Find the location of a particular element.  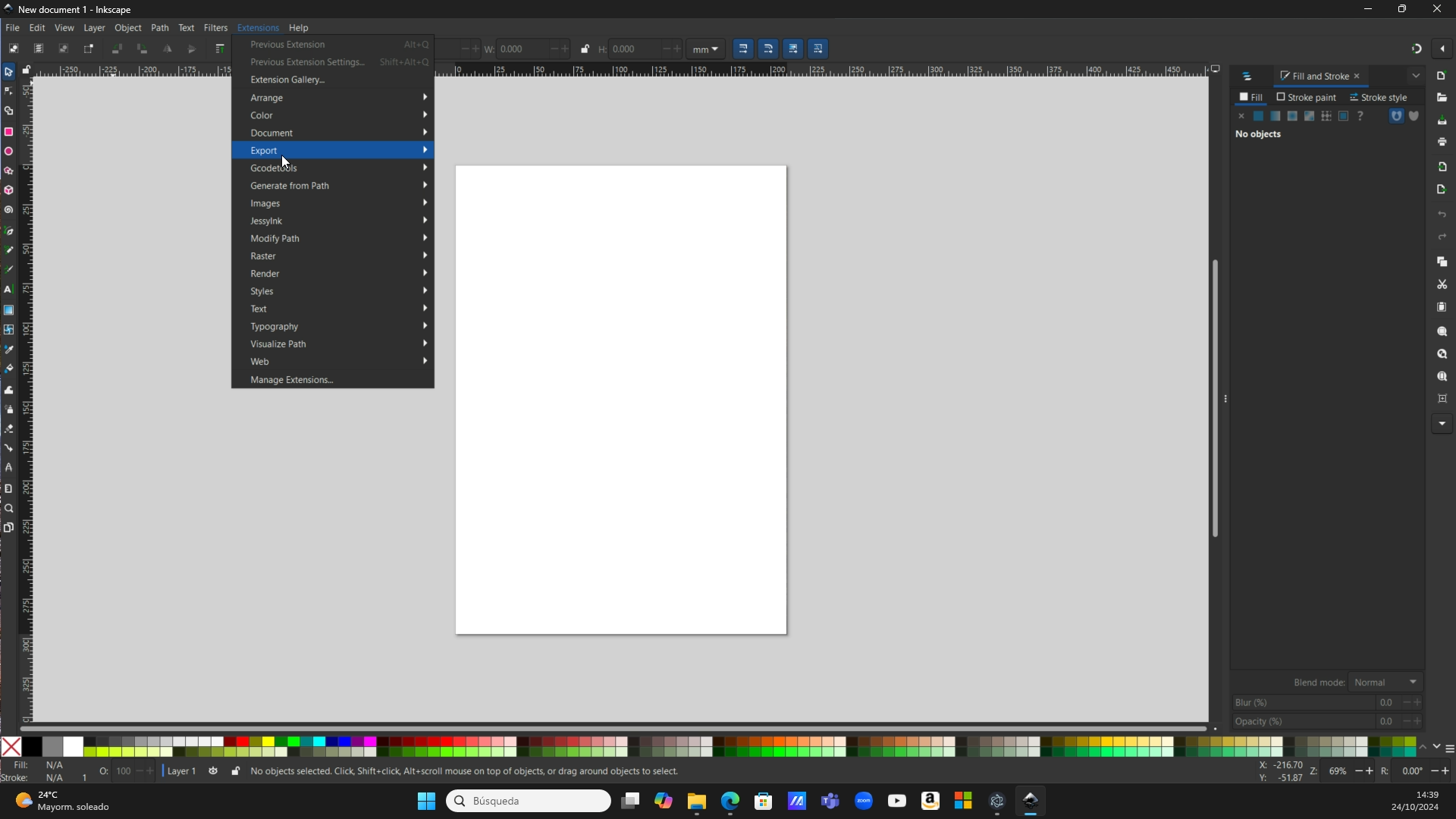

Jessylink is located at coordinates (337, 222).